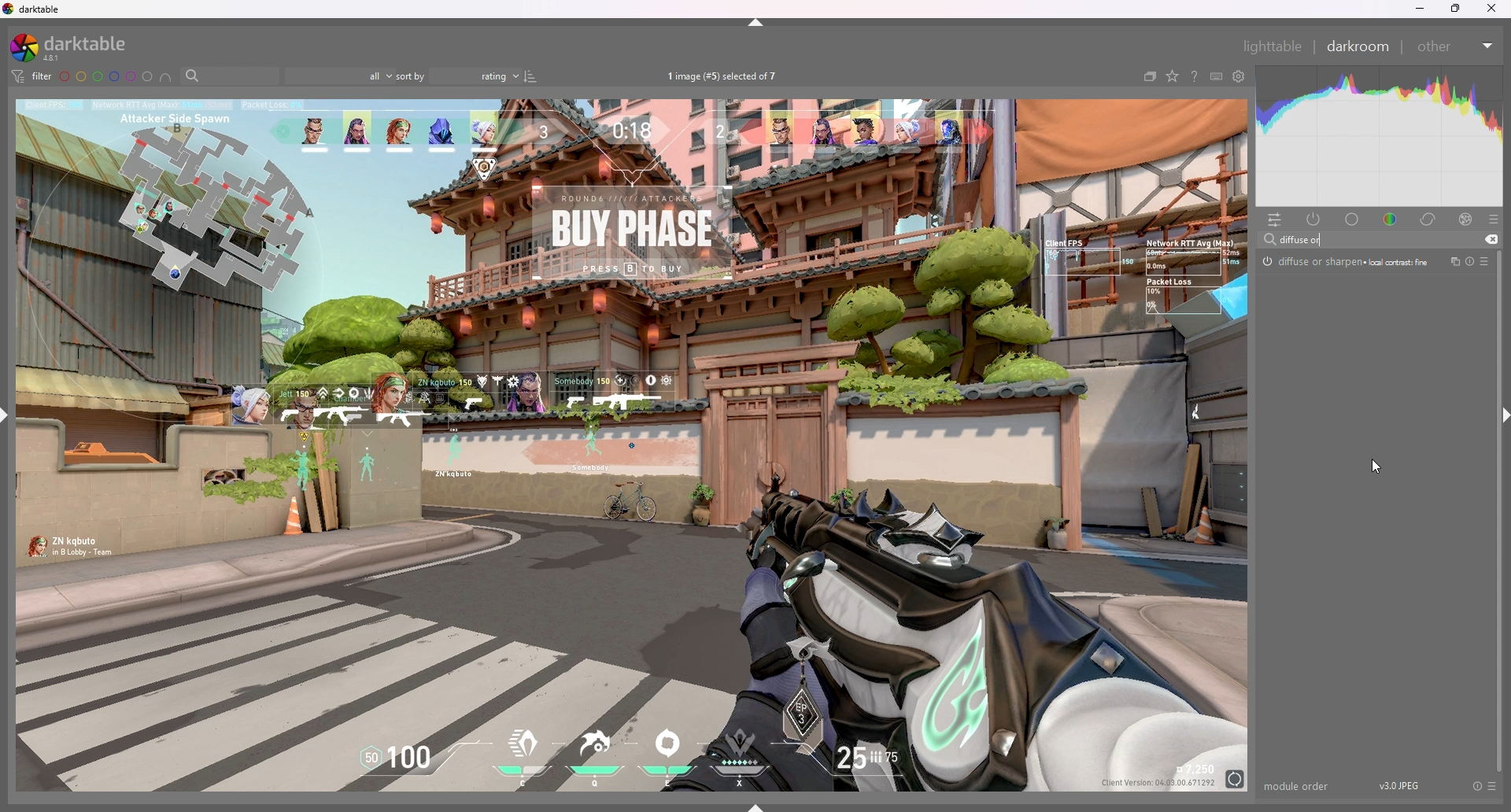 This screenshot has width=1511, height=812. Describe the element at coordinates (1150, 76) in the screenshot. I see `collapse grouped images` at that location.